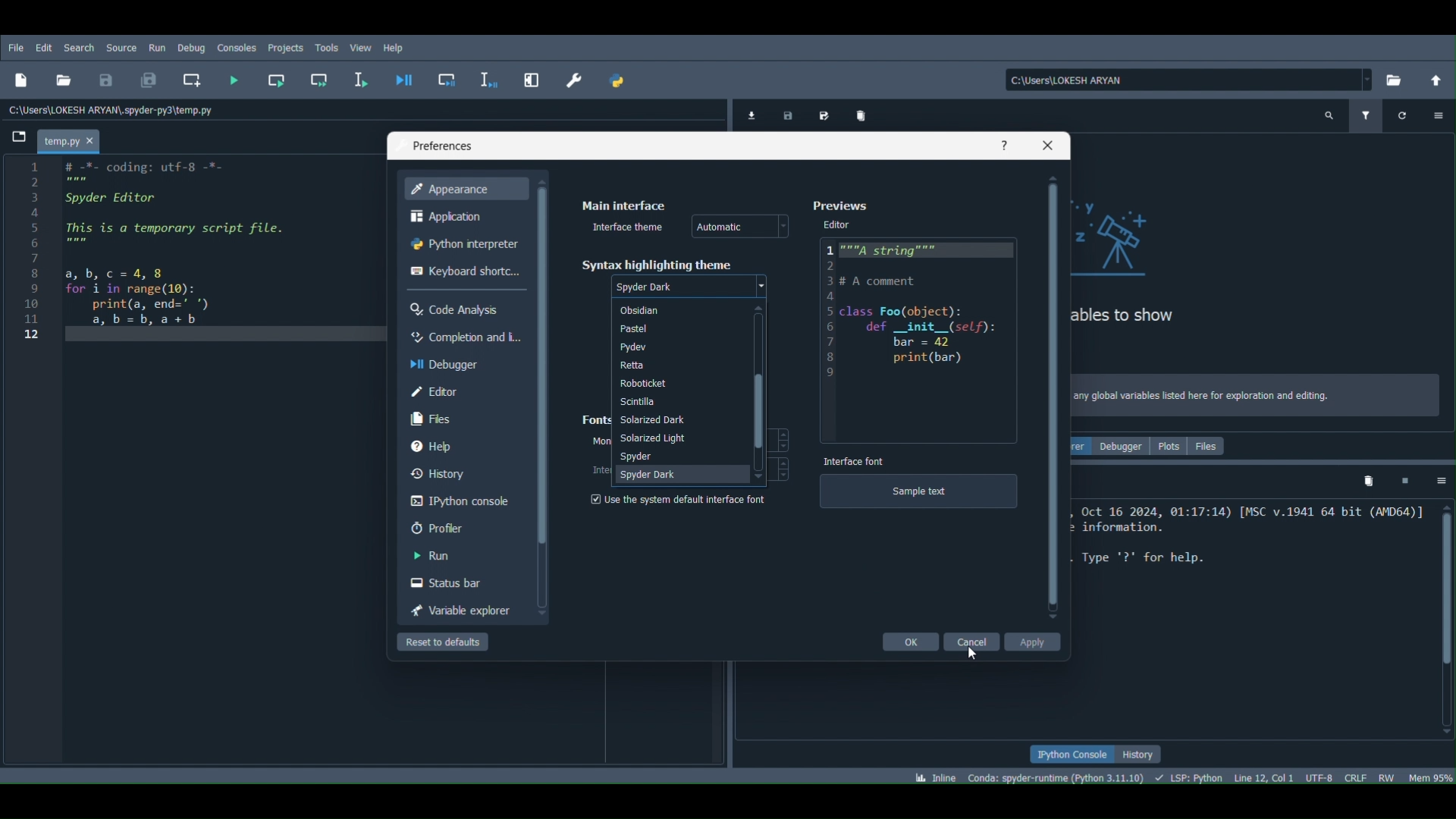 This screenshot has width=1456, height=819. What do you see at coordinates (124, 47) in the screenshot?
I see `Source` at bounding box center [124, 47].